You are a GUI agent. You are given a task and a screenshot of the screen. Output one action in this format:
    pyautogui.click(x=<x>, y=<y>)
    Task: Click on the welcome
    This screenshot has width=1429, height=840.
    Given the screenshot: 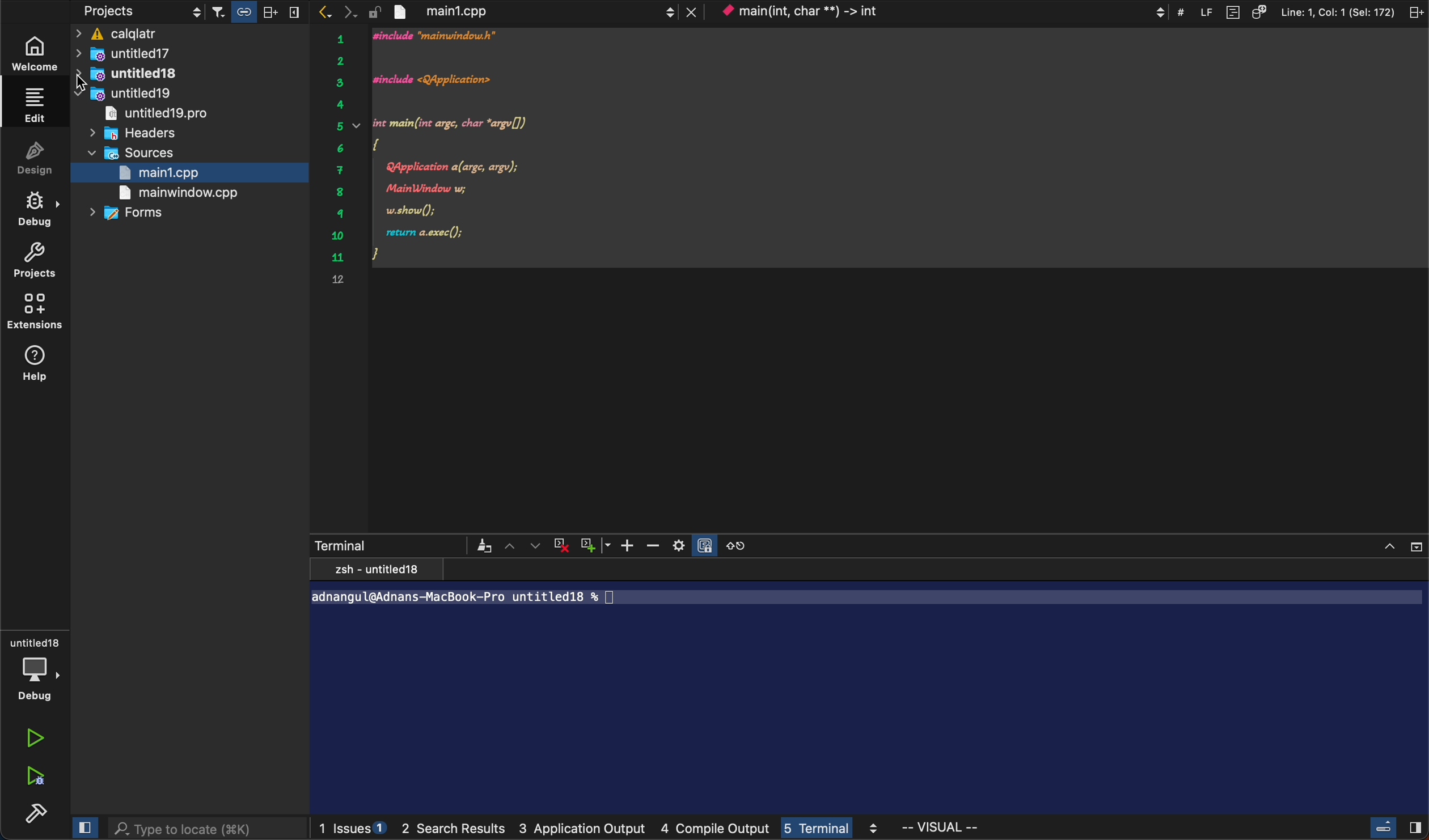 What is the action you would take?
    pyautogui.click(x=36, y=52)
    